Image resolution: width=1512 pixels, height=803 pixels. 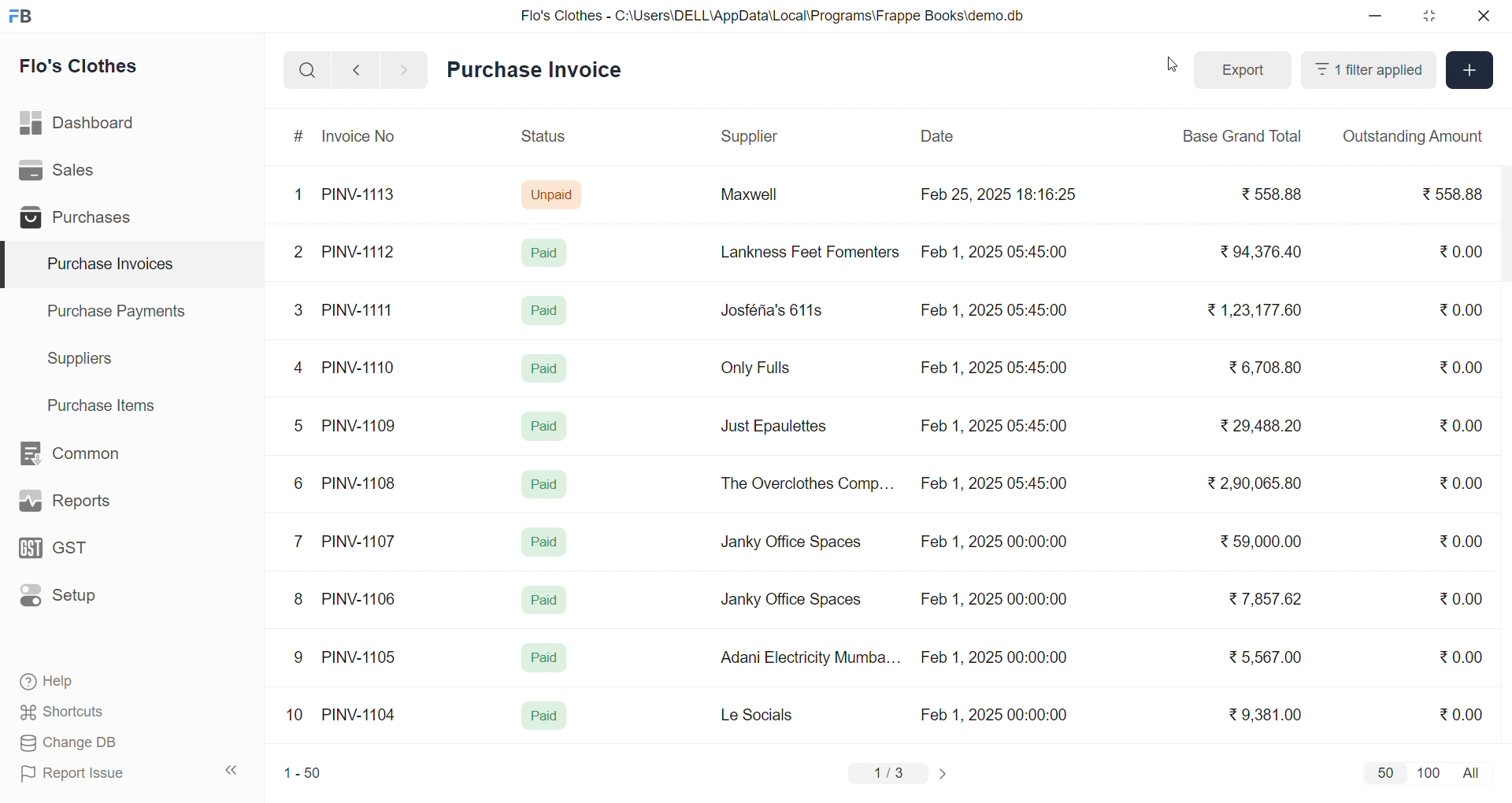 I want to click on logo, so click(x=24, y=17).